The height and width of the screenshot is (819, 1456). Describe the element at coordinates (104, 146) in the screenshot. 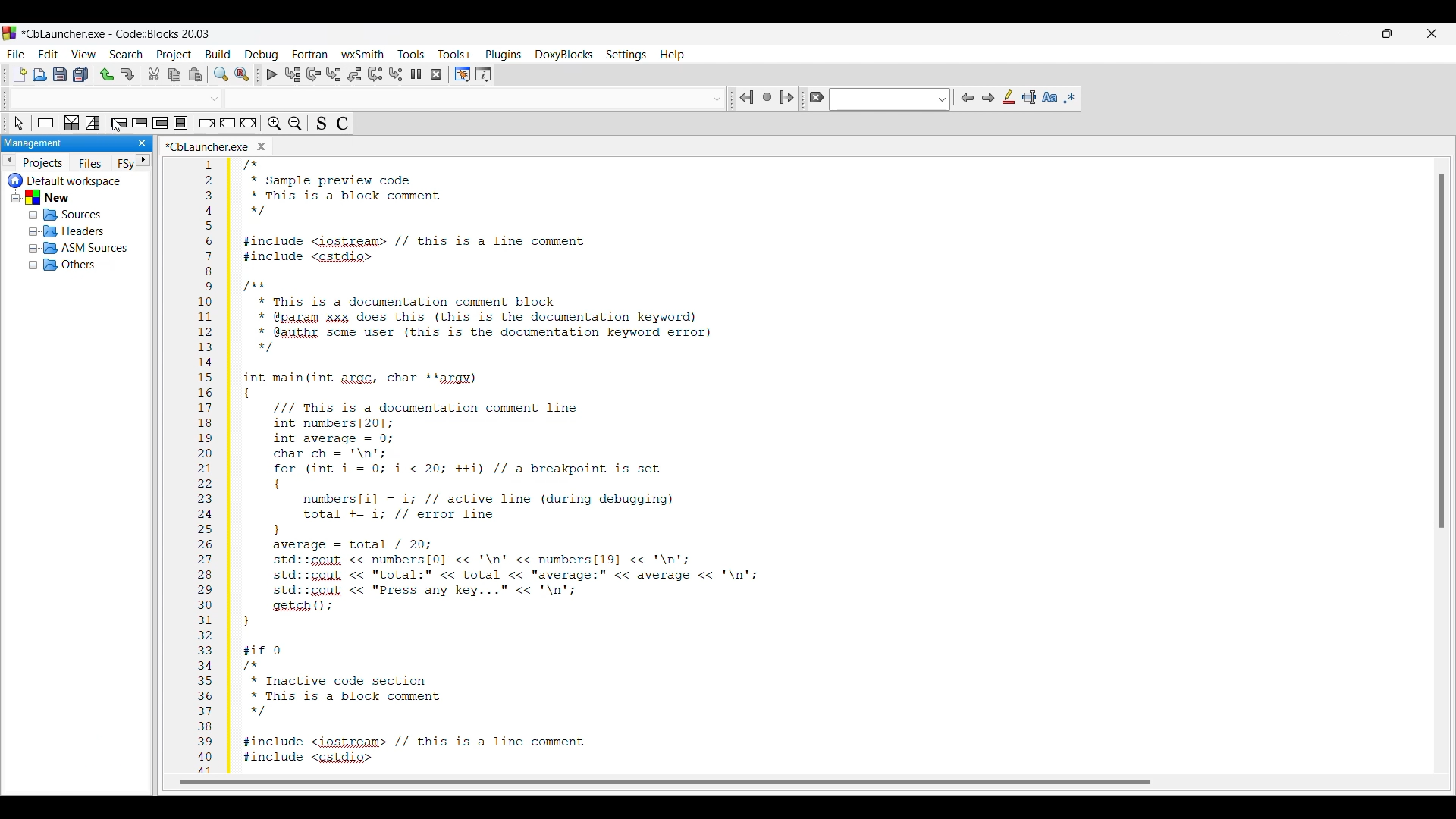

I see `Close tab` at that location.